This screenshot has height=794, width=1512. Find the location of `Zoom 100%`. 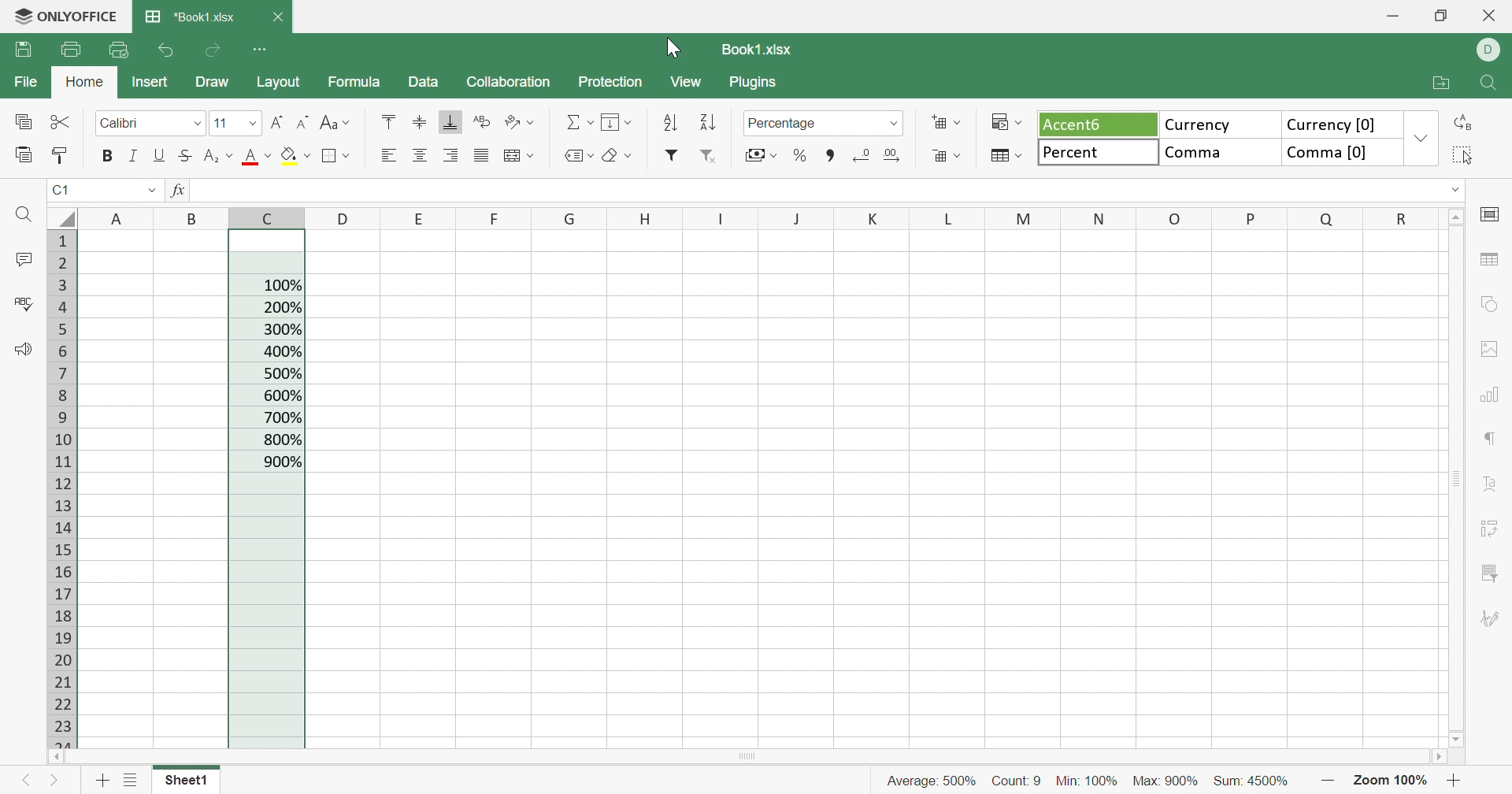

Zoom 100% is located at coordinates (1392, 781).